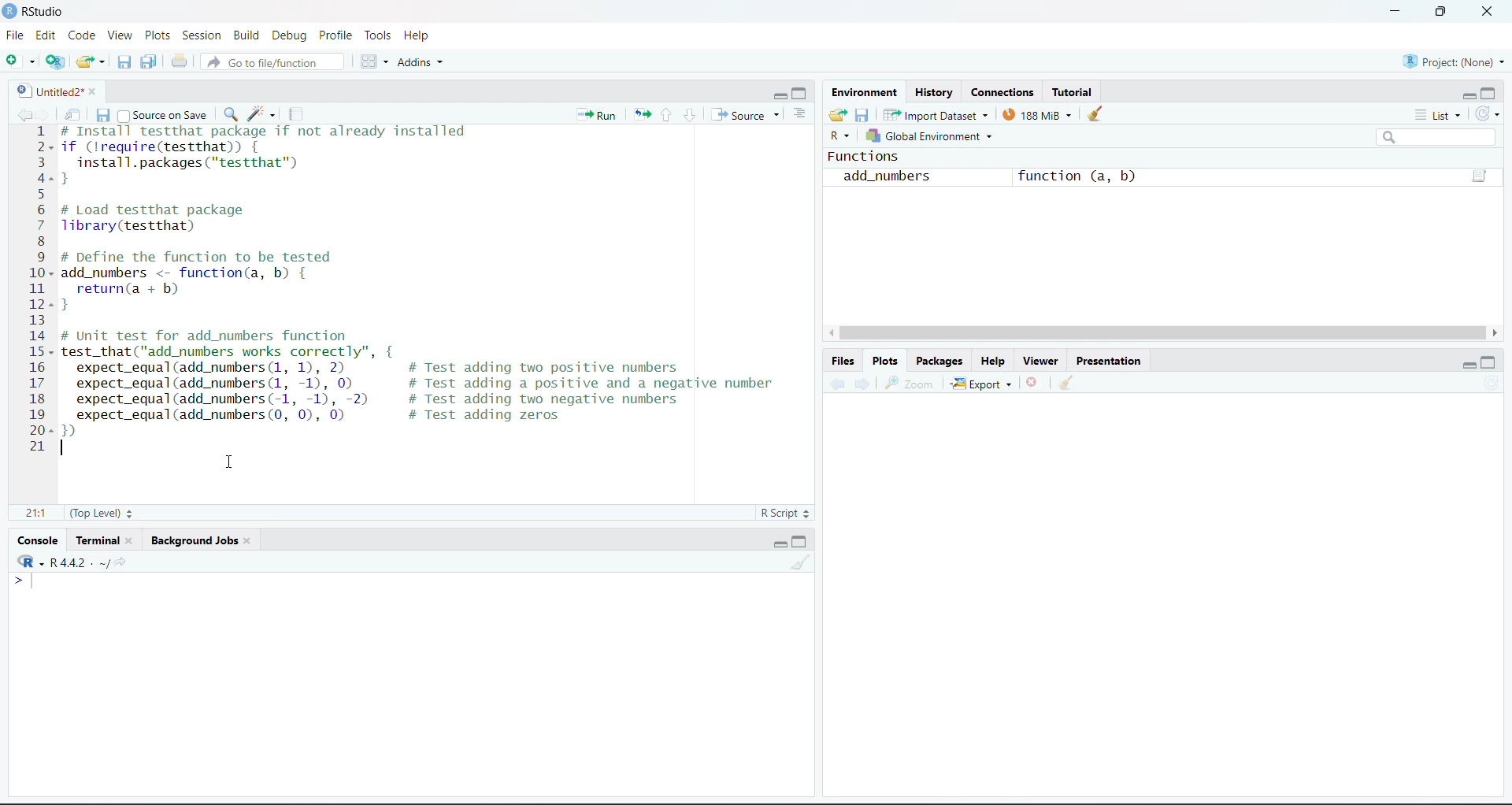 This screenshot has height=805, width=1512. Describe the element at coordinates (293, 114) in the screenshot. I see `compile report` at that location.